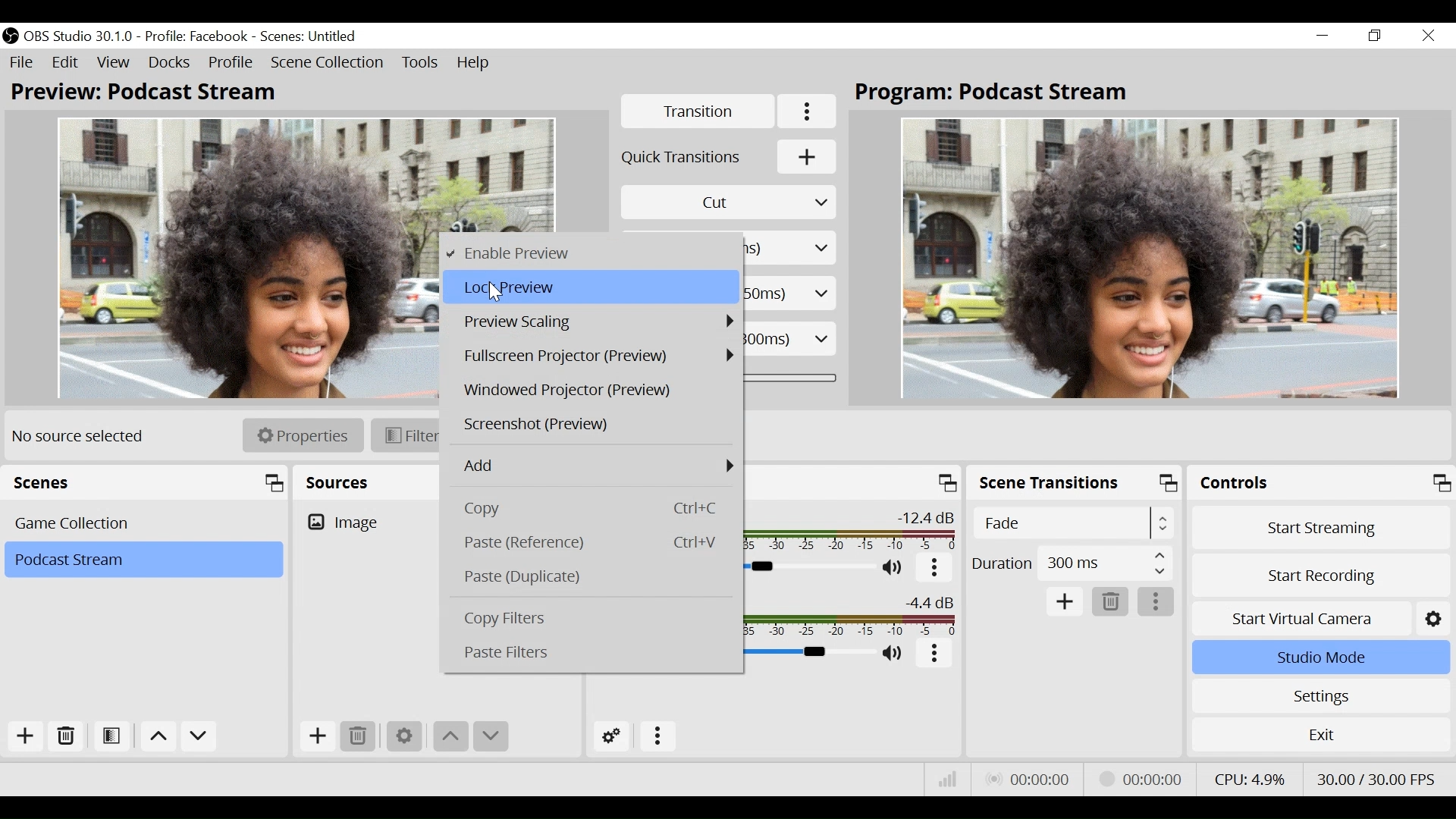 This screenshot has width=1456, height=819. I want to click on Move down, so click(202, 736).